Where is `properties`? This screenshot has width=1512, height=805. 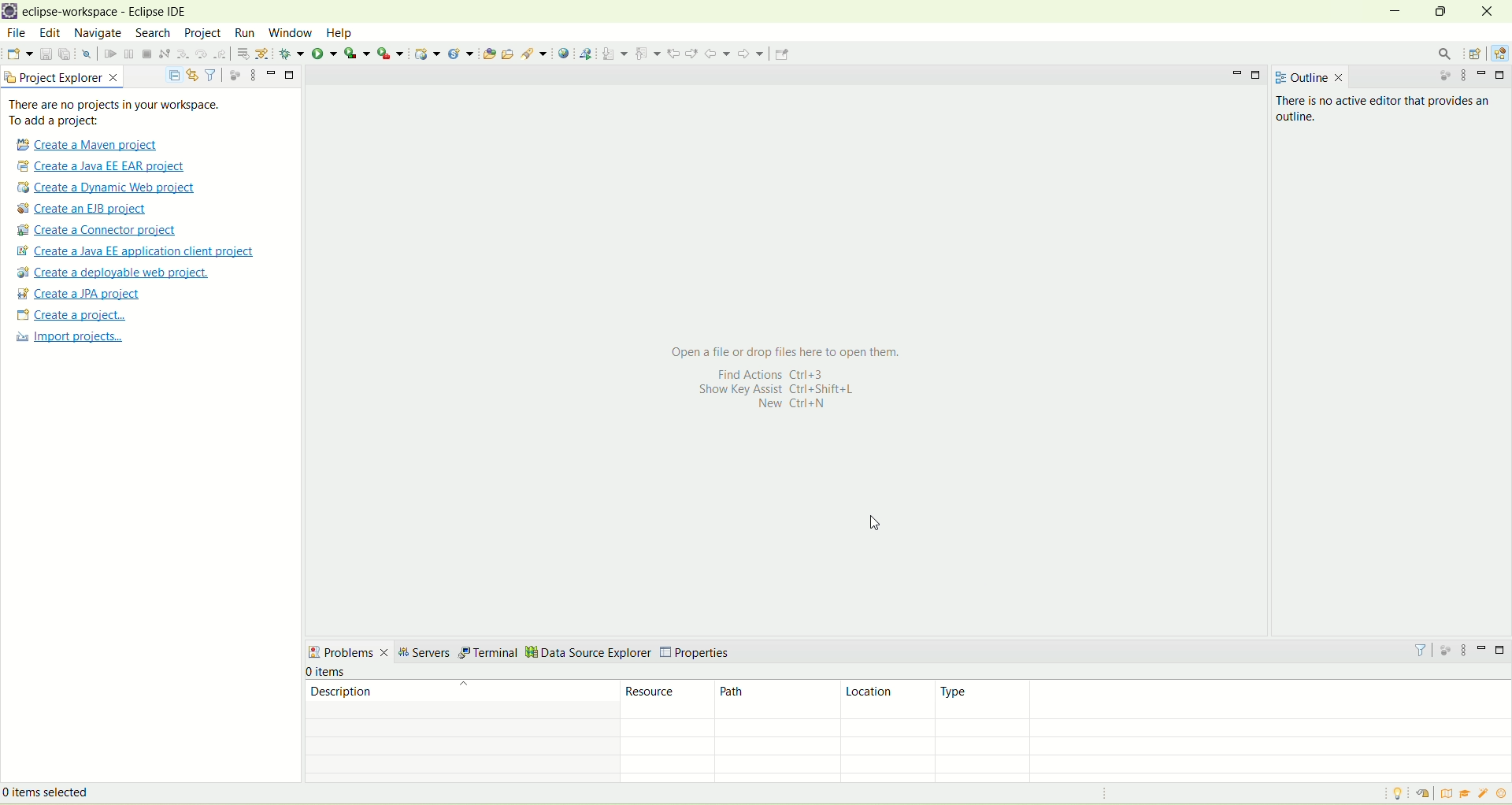
properties is located at coordinates (702, 649).